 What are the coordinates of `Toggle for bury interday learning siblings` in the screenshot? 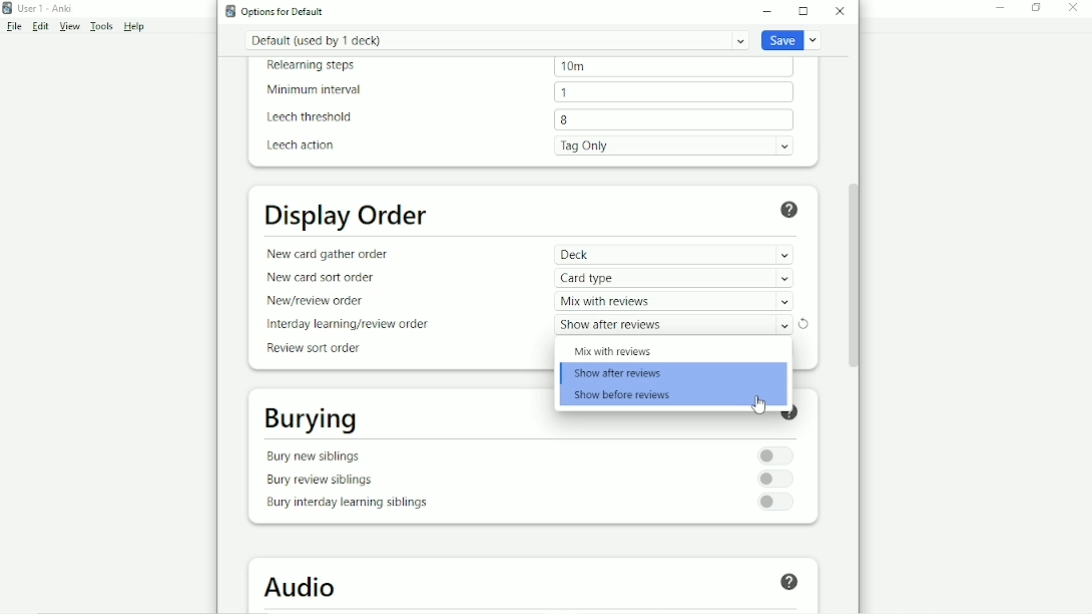 It's located at (776, 502).